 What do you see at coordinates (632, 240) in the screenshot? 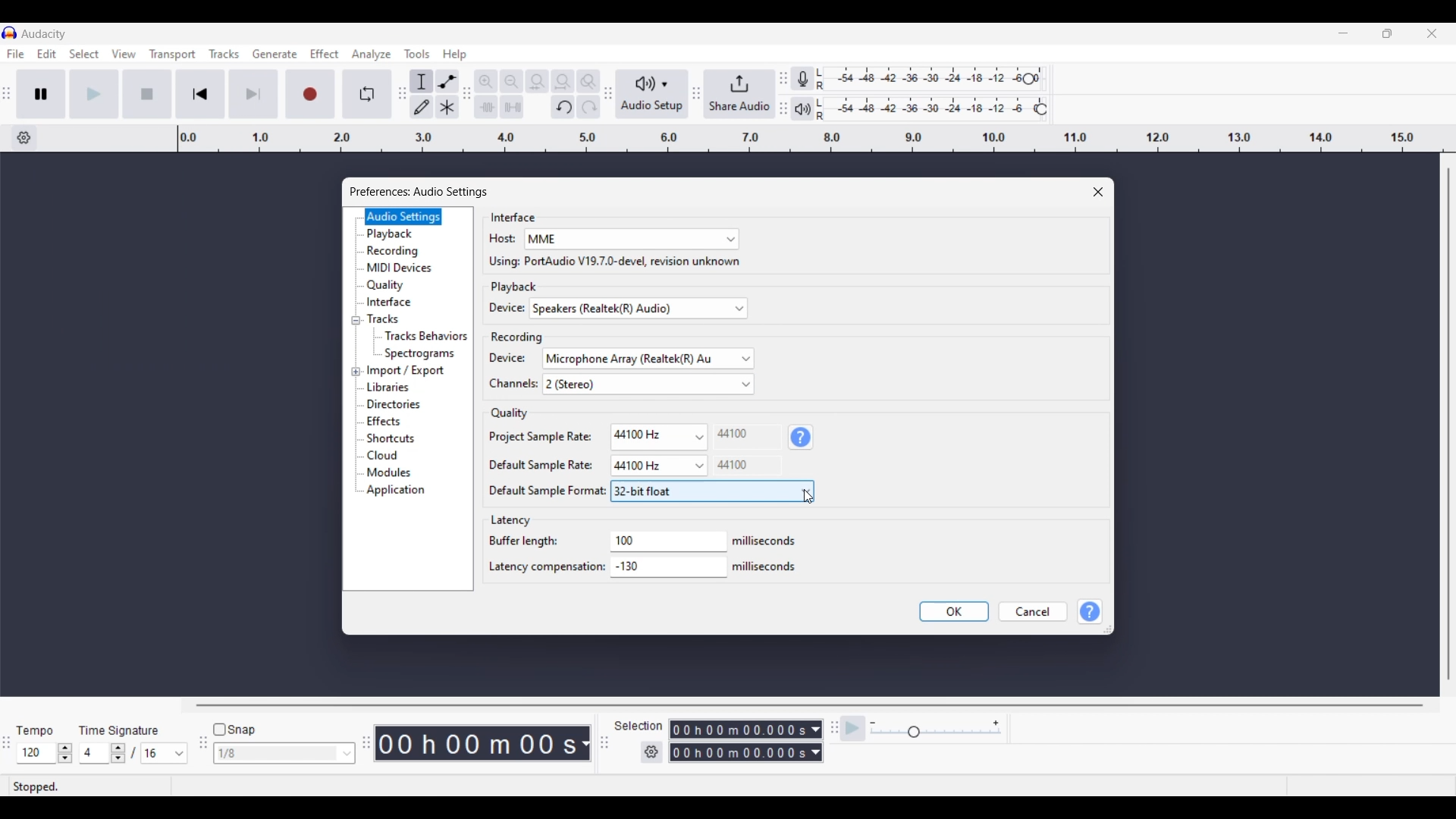
I see `Host options` at bounding box center [632, 240].